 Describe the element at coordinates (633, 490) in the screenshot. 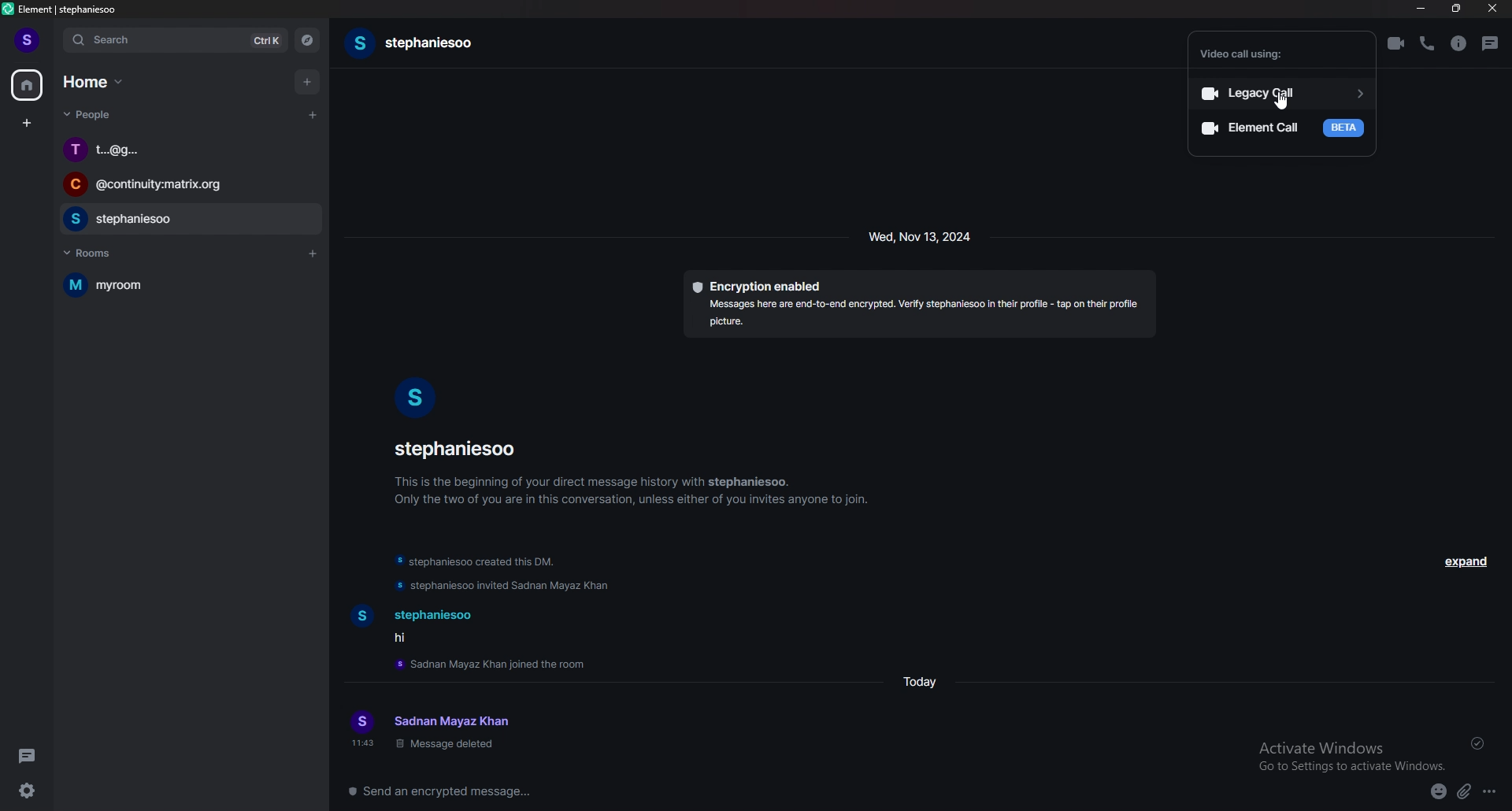

I see `info` at that location.